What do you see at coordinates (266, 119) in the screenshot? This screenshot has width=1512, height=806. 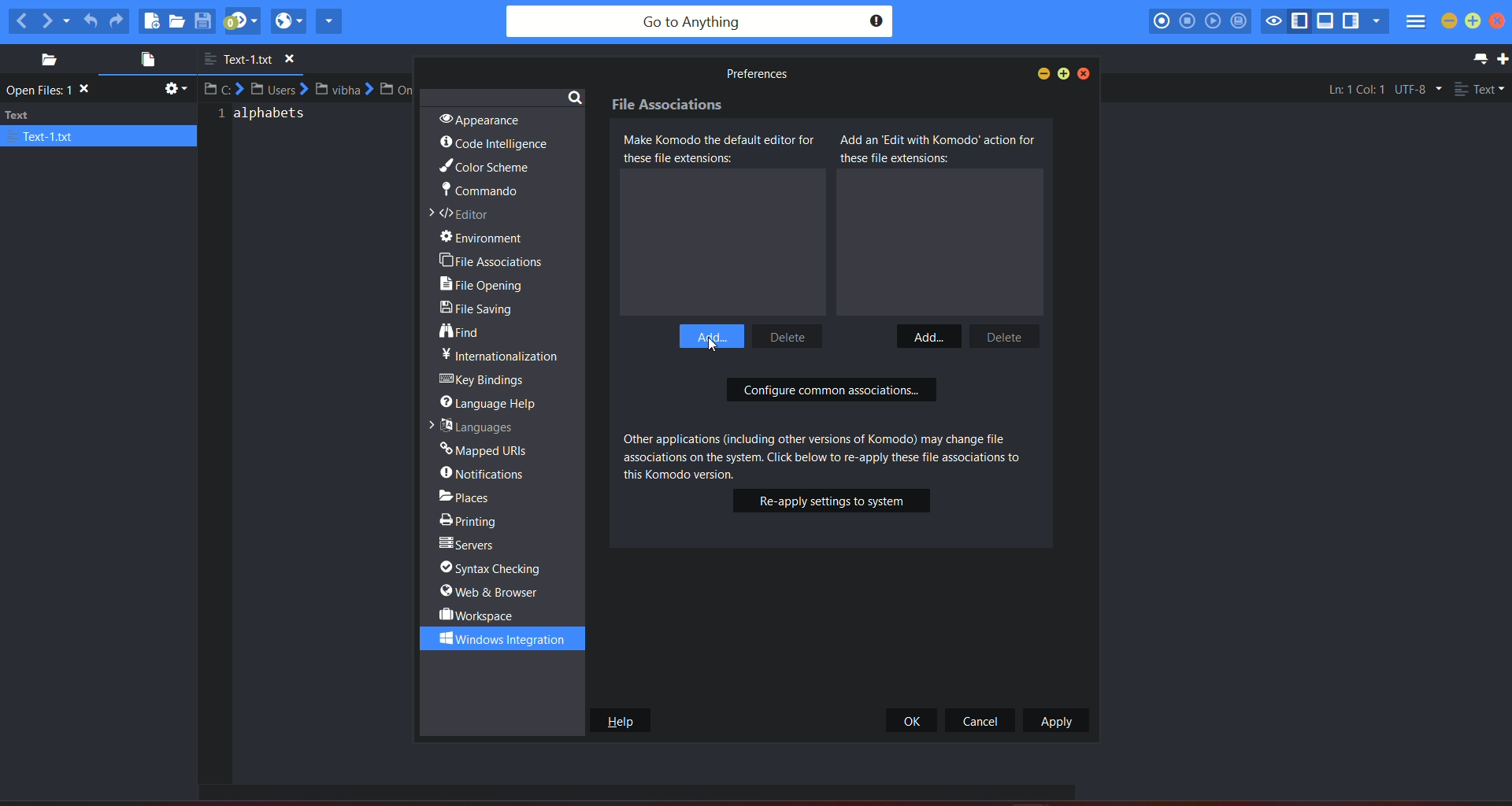 I see `alphabets` at bounding box center [266, 119].